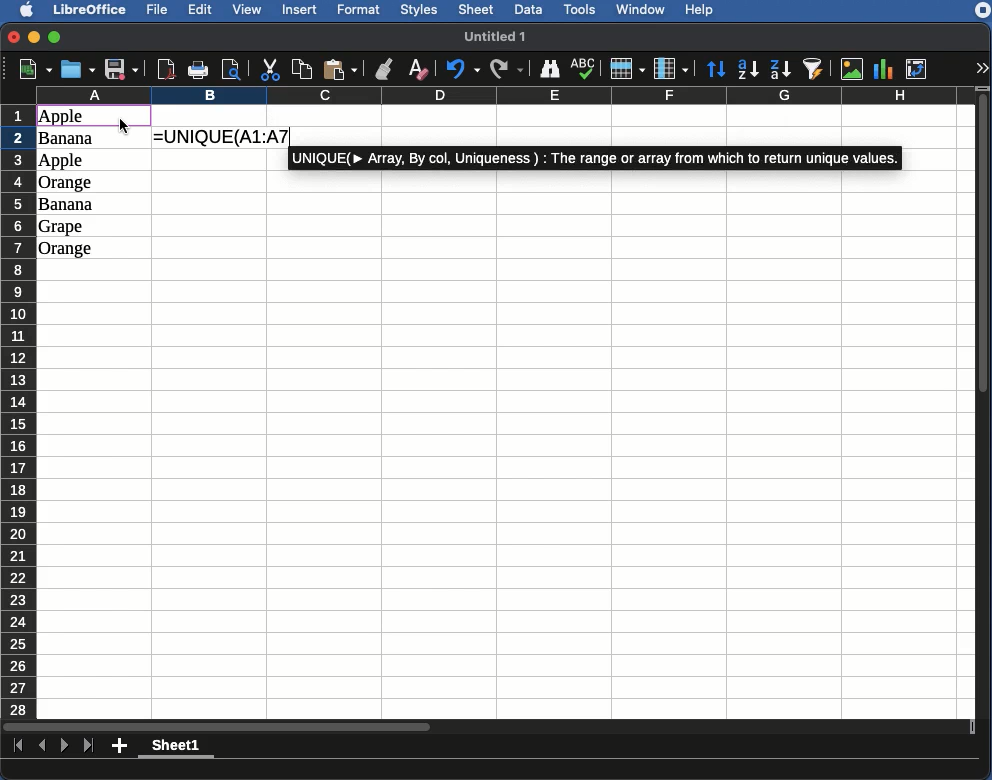 The width and height of the screenshot is (992, 780). I want to click on First sheet, so click(15, 746).